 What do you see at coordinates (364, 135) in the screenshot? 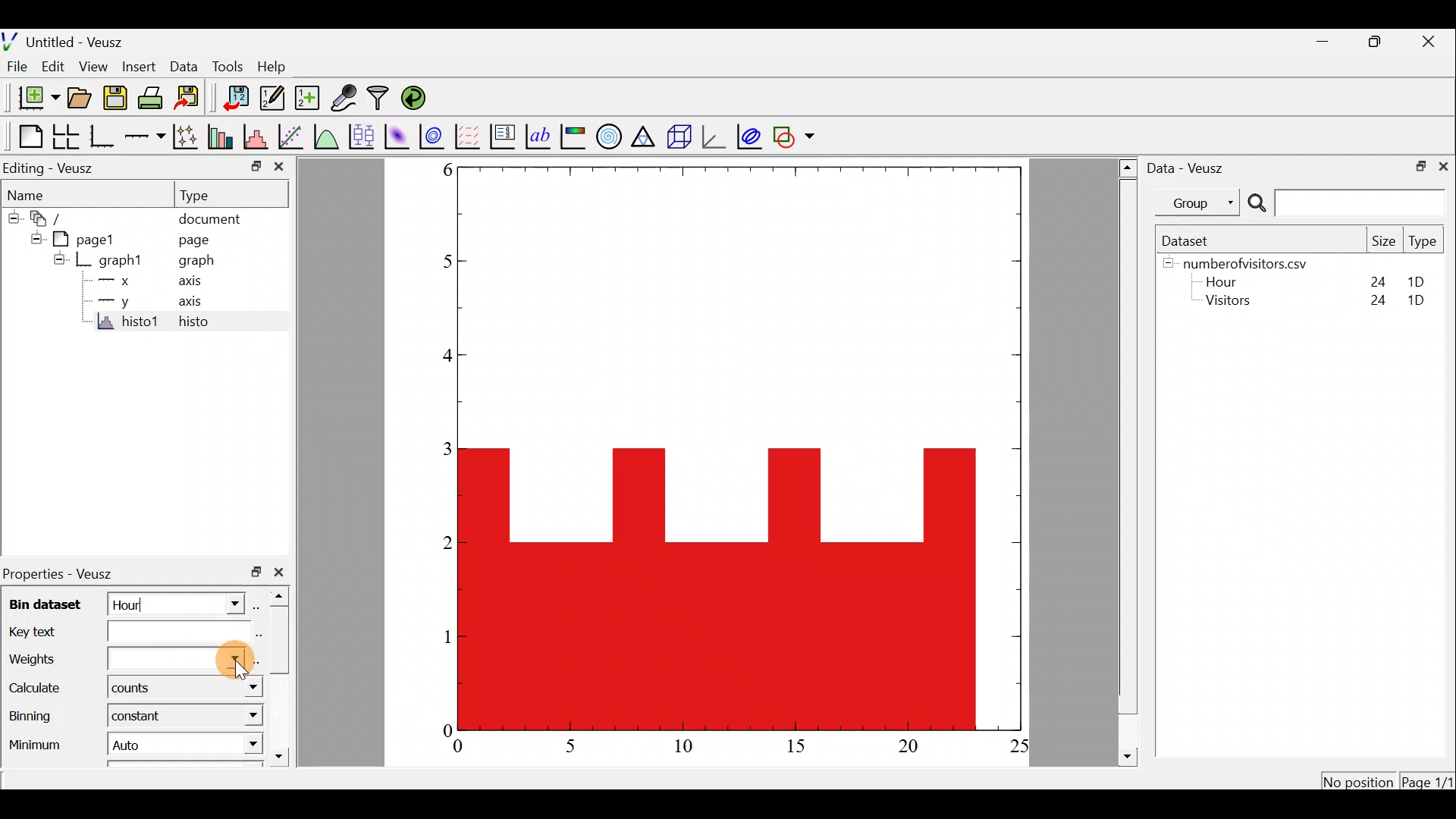
I see `plot box plots` at bounding box center [364, 135].